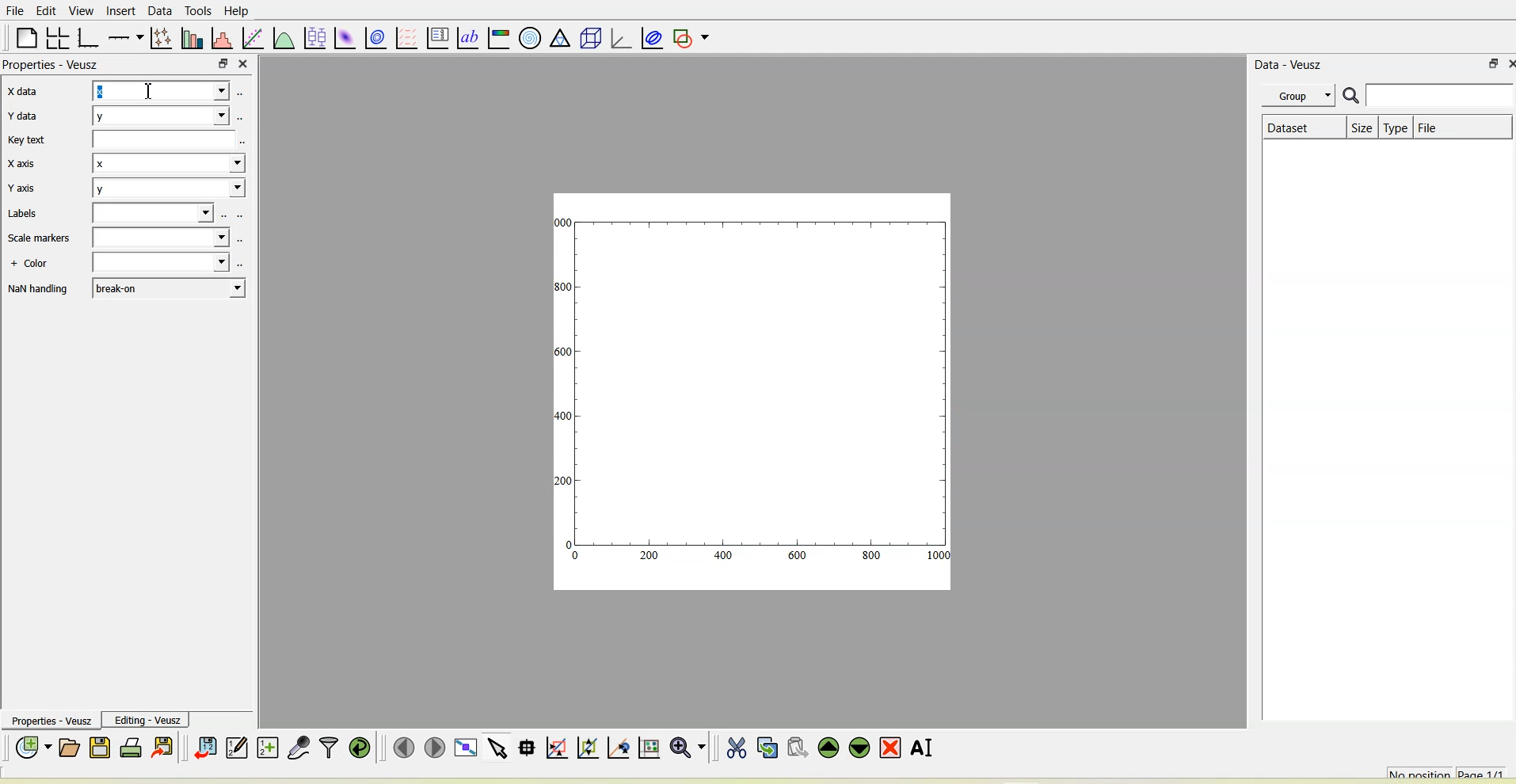  I want to click on Cut the selected widget, so click(736, 748).